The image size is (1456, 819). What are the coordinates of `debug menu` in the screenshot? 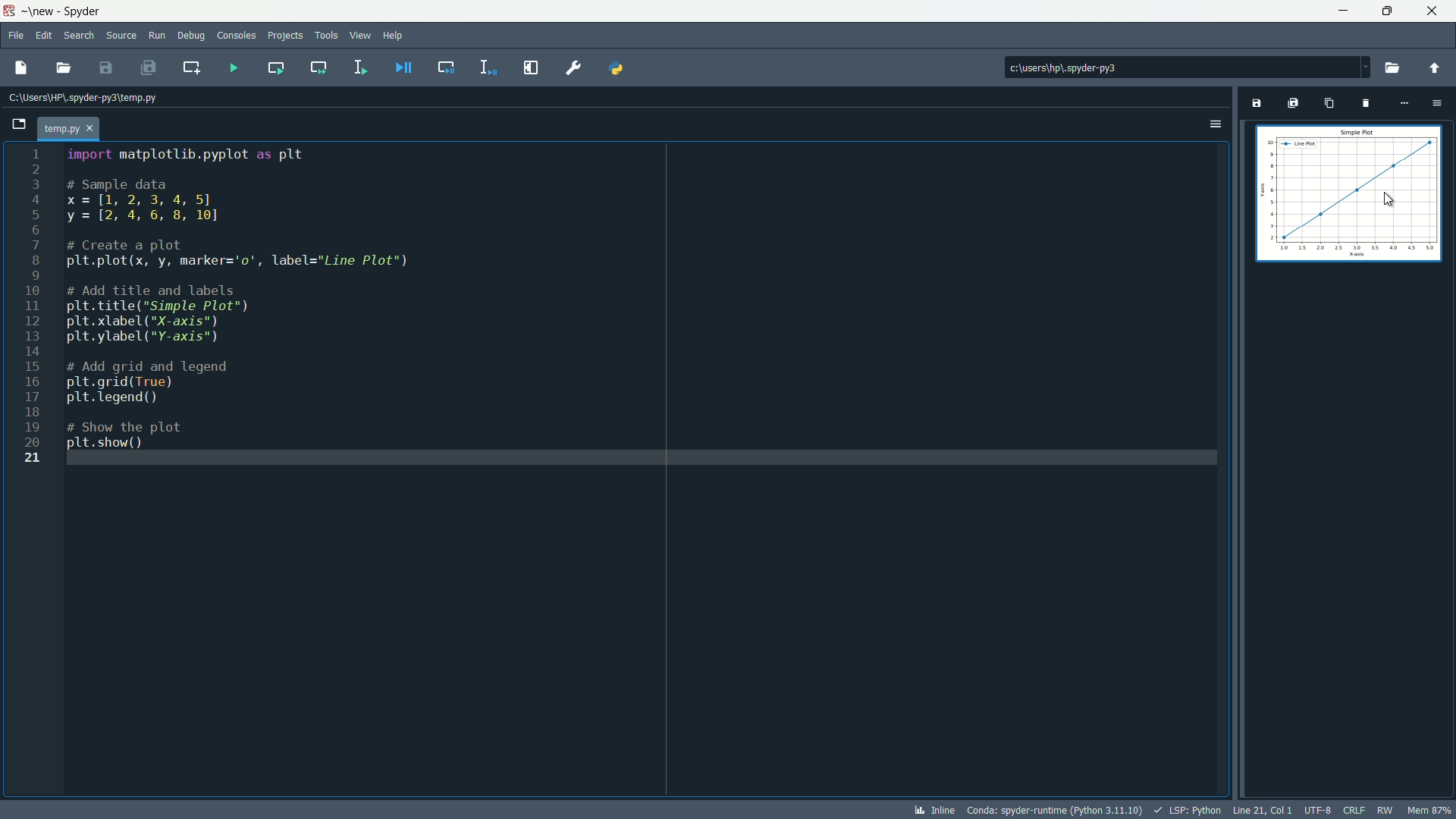 It's located at (191, 35).